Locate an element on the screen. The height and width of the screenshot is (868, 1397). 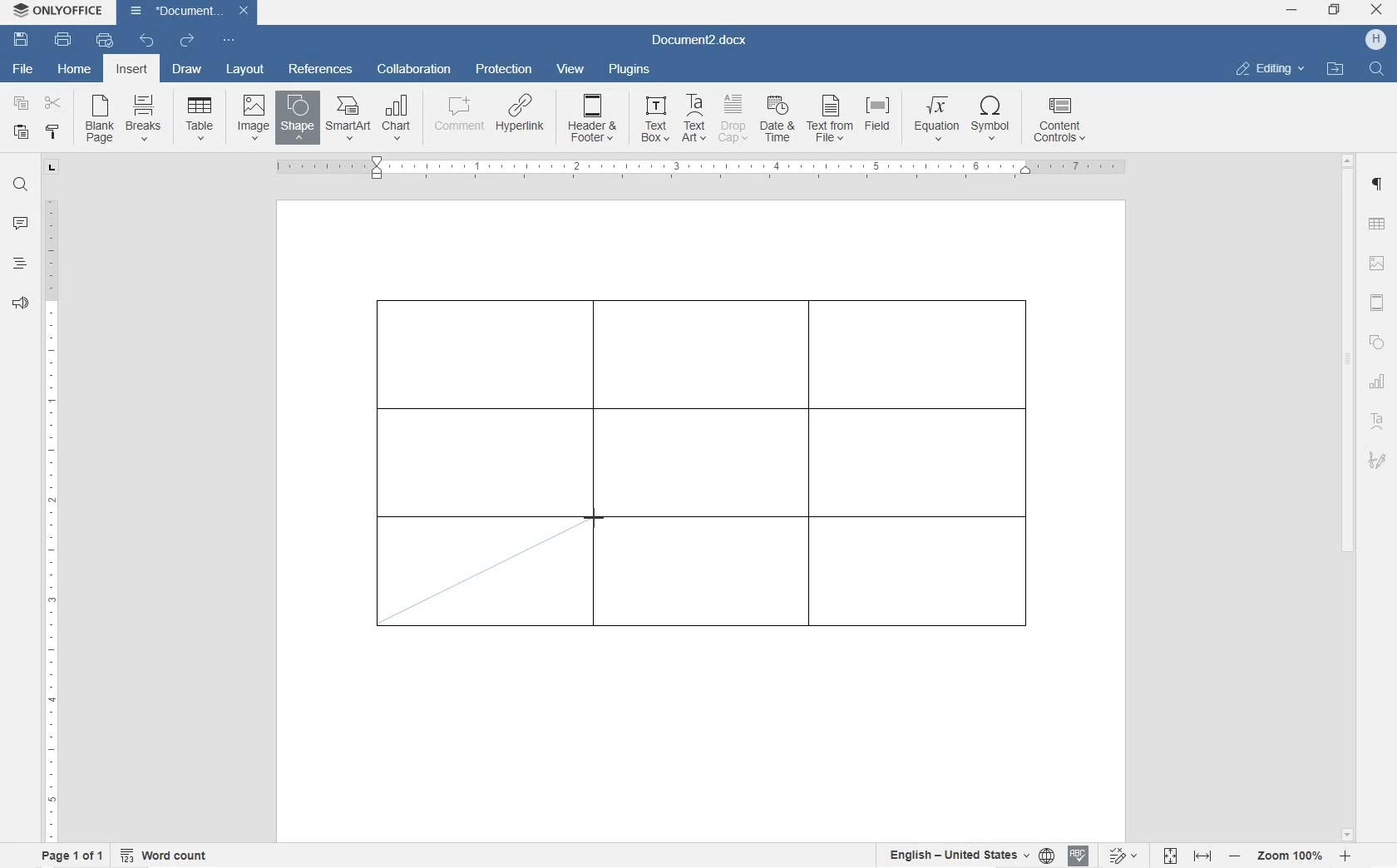
line tool/cursor location is located at coordinates (595, 520).